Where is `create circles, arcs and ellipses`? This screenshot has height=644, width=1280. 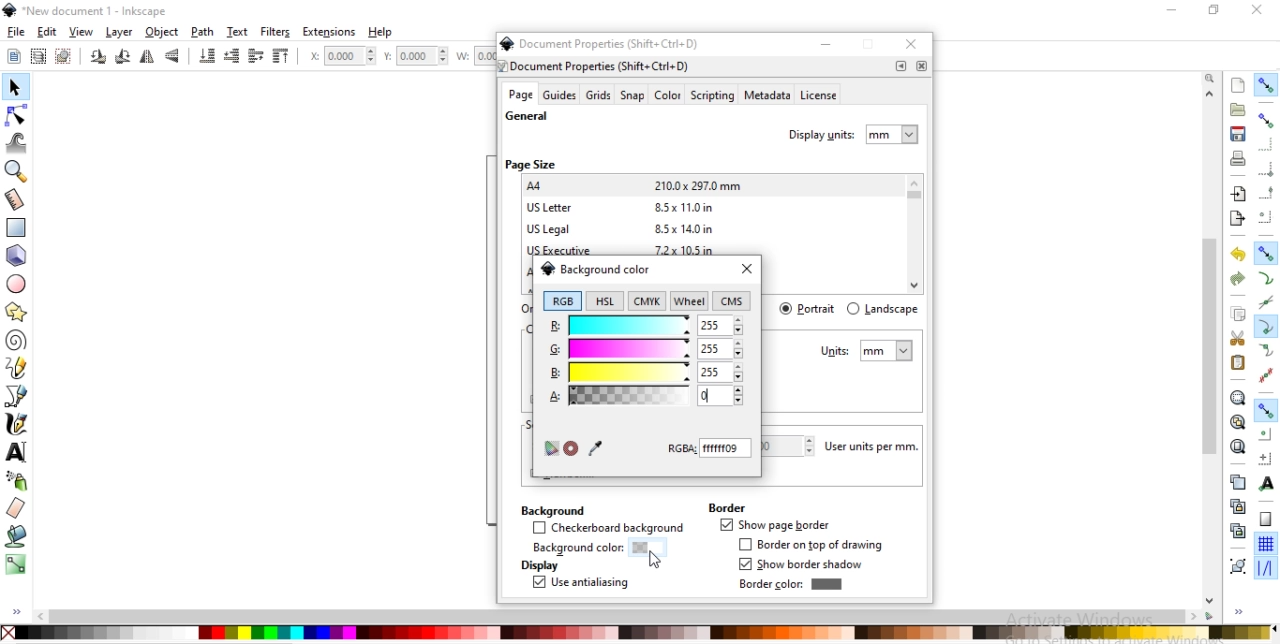
create circles, arcs and ellipses is located at coordinates (18, 285).